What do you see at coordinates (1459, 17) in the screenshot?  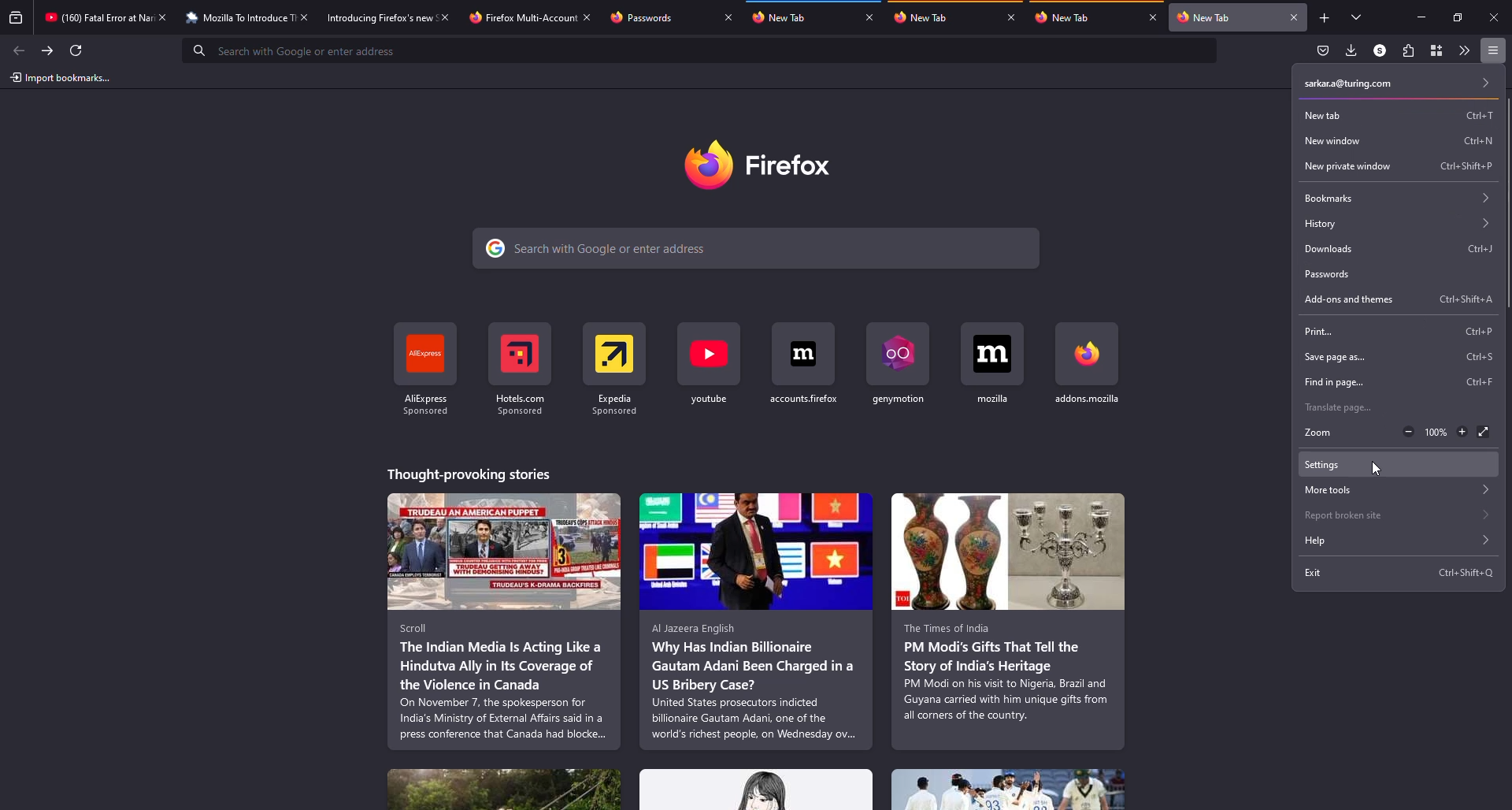 I see `maximize` at bounding box center [1459, 17].